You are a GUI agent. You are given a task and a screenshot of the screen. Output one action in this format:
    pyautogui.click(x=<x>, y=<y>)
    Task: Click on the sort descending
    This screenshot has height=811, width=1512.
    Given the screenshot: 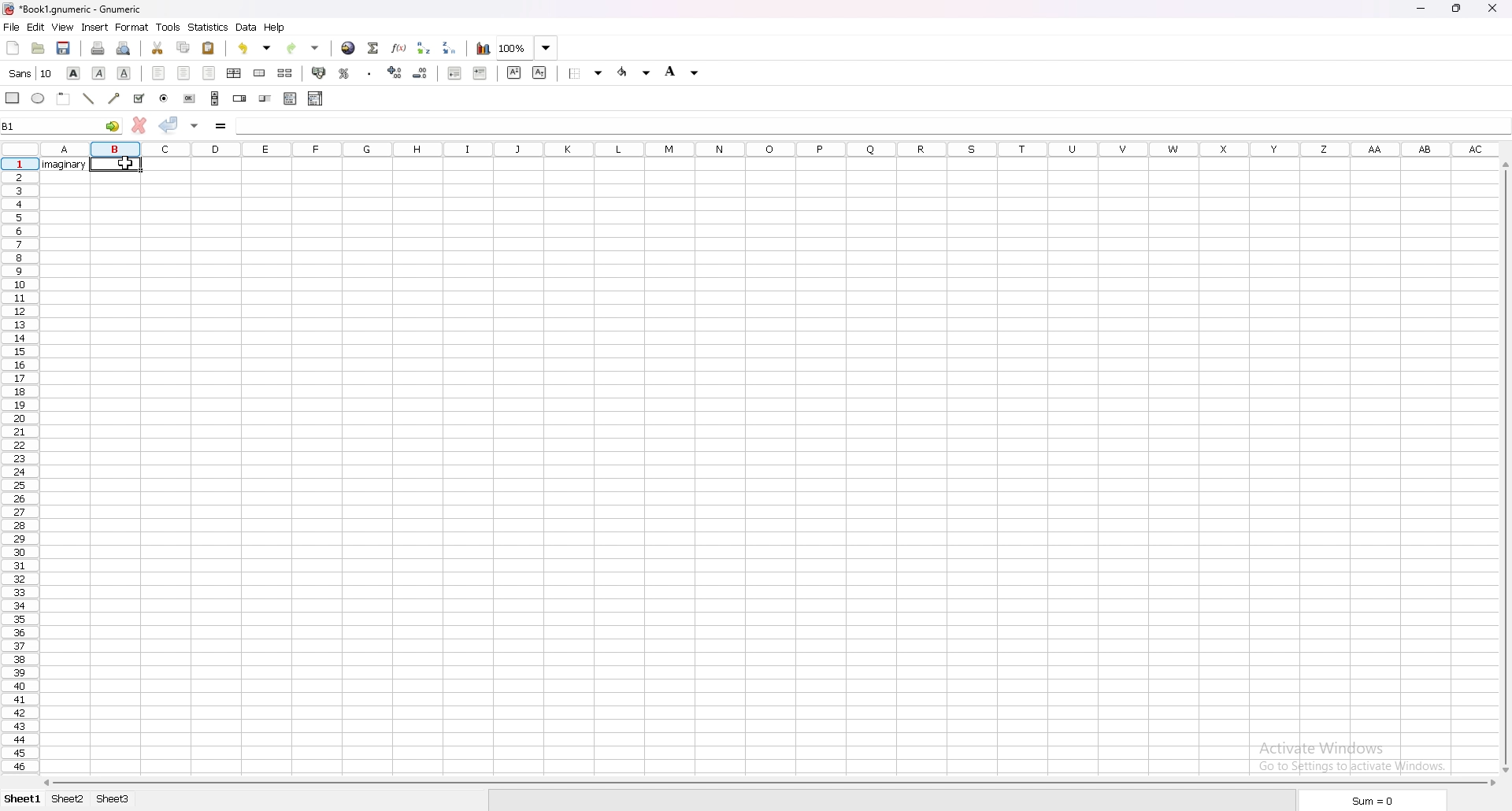 What is the action you would take?
    pyautogui.click(x=448, y=47)
    